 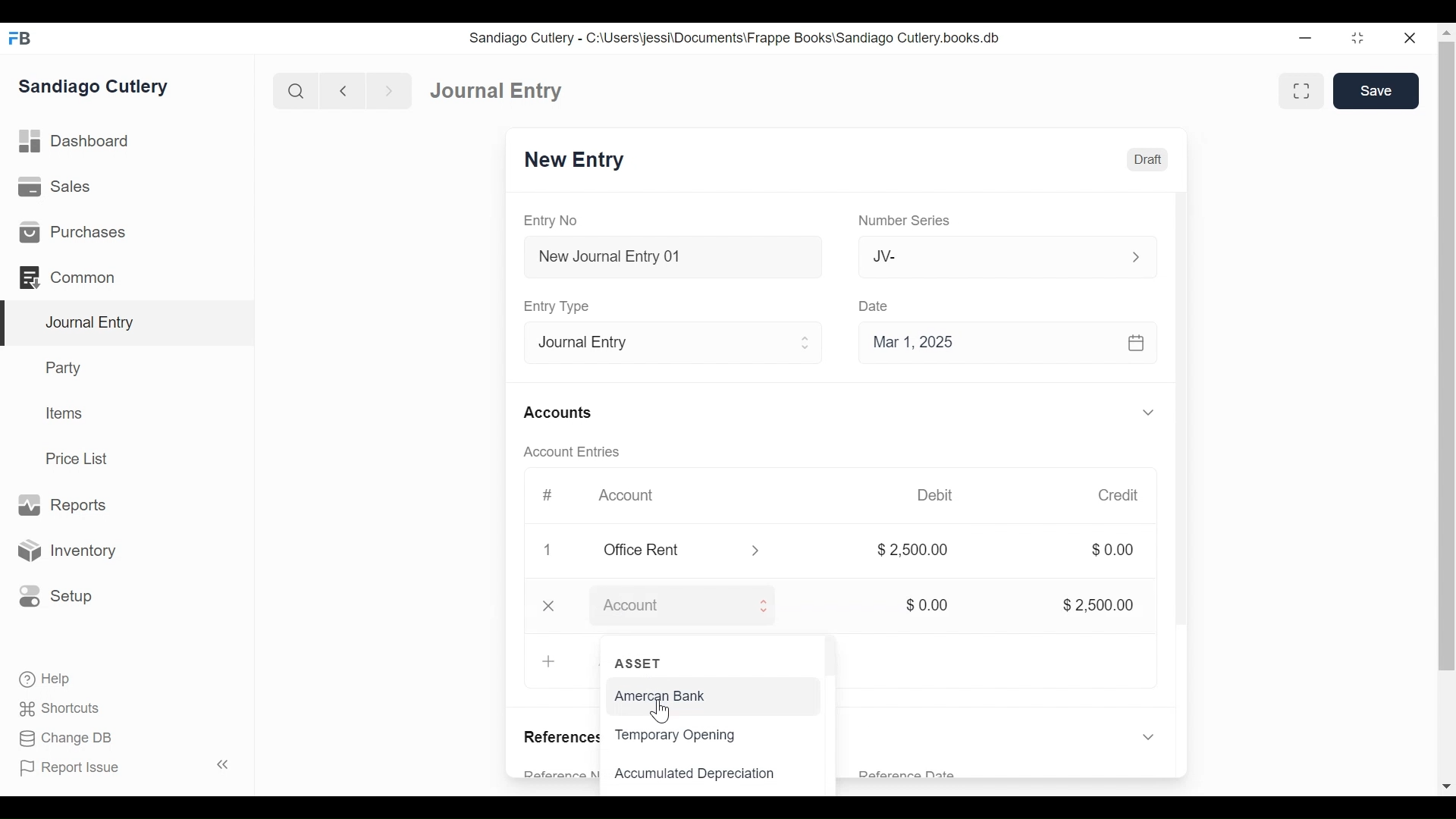 I want to click on next, so click(x=384, y=89).